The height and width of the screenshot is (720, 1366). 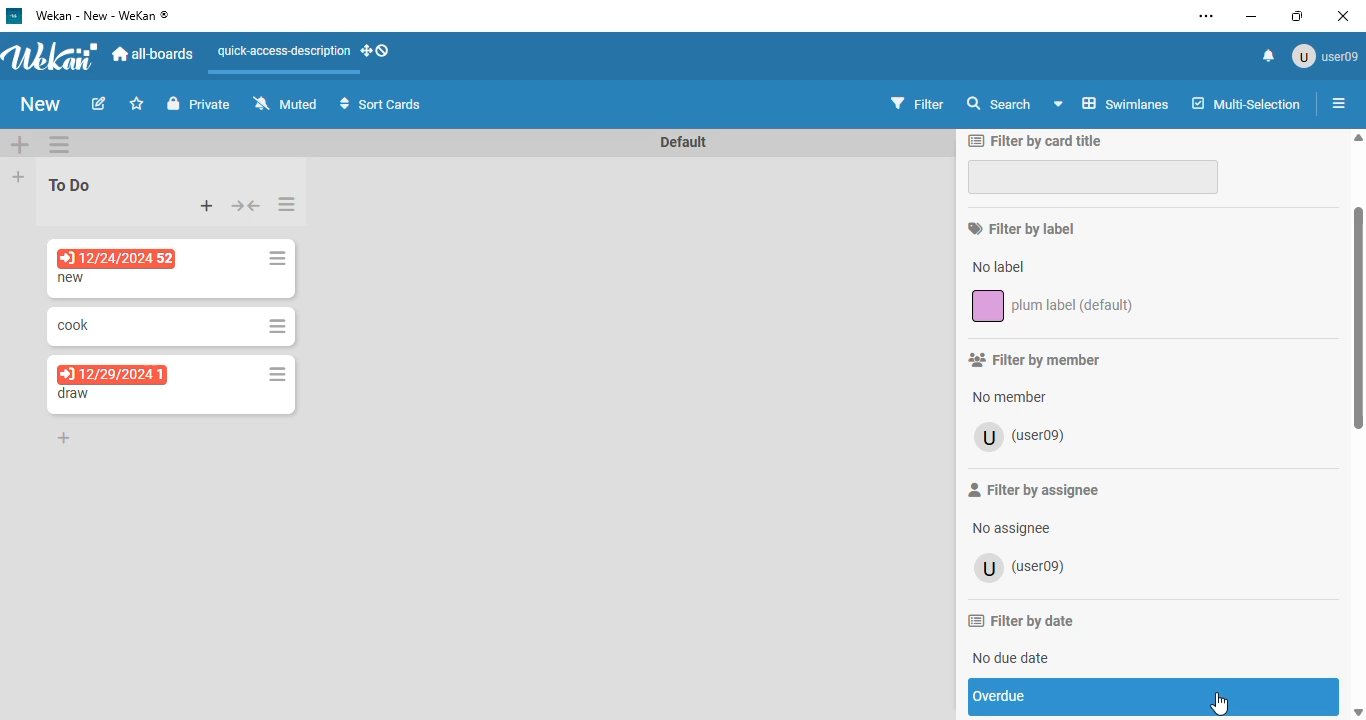 I want to click on add card to bottom of the list, so click(x=64, y=438).